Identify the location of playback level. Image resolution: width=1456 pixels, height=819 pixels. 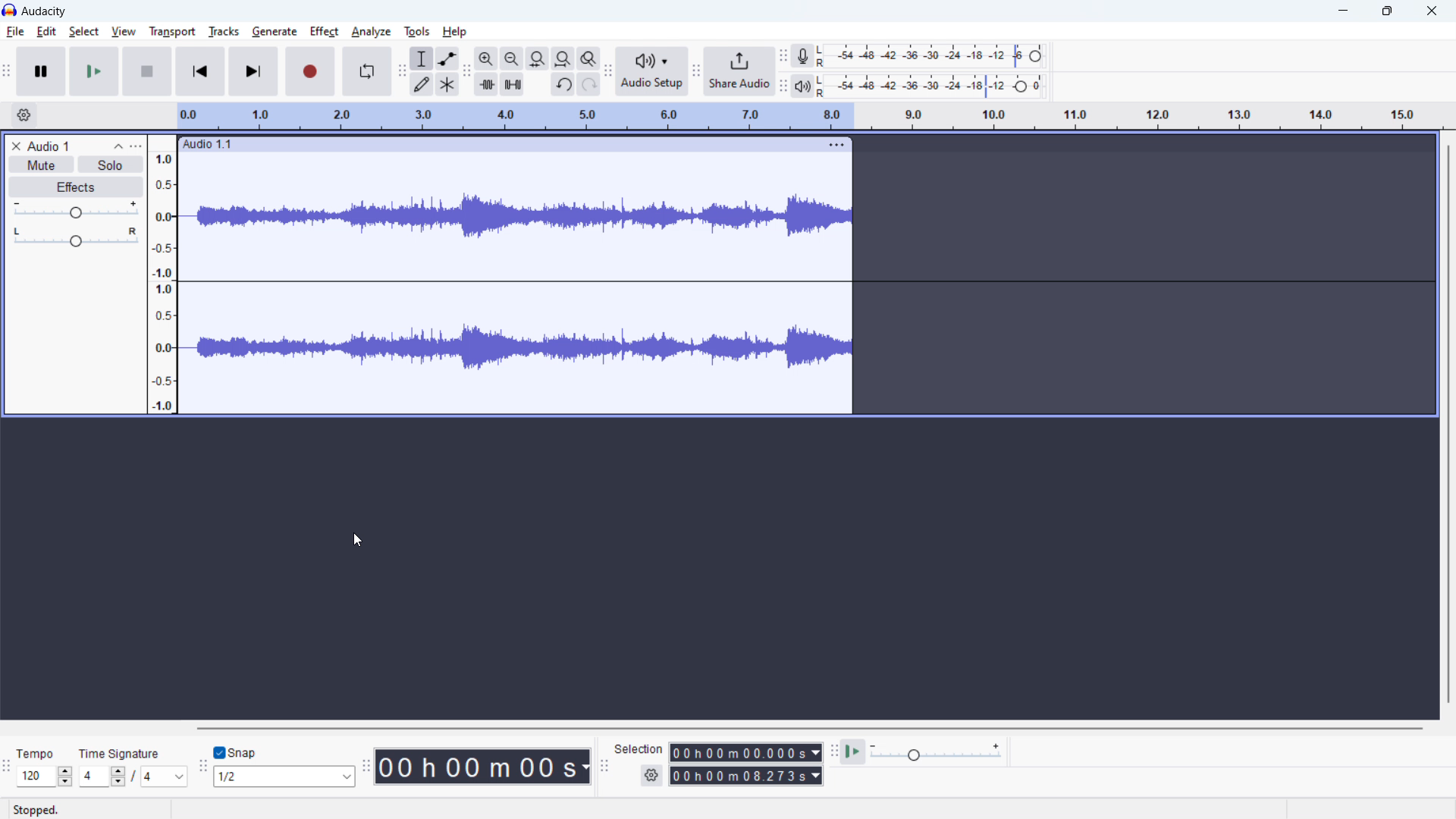
(930, 85).